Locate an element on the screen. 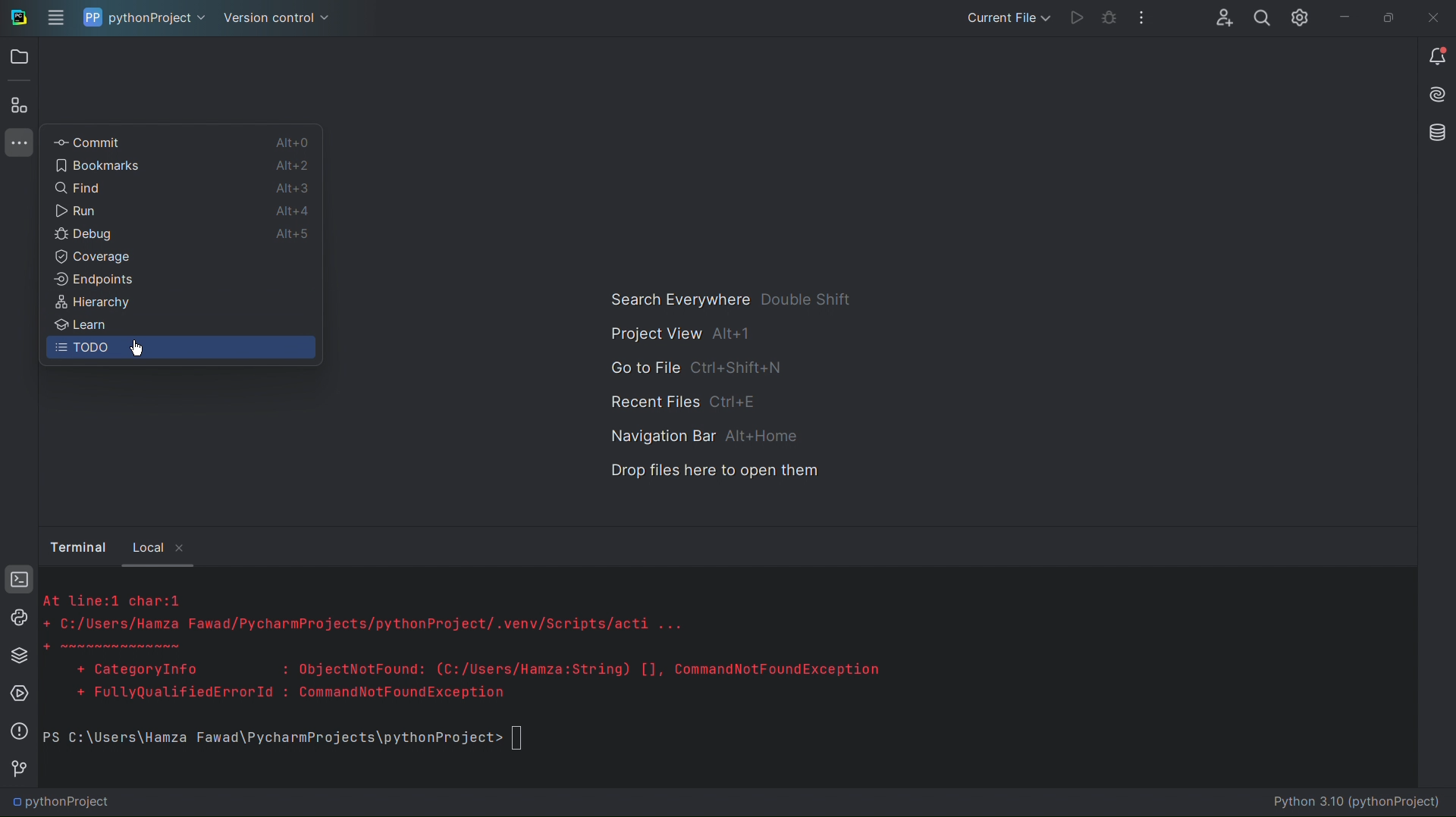 The height and width of the screenshot is (817, 1456). Terminal  is located at coordinates (76, 546).